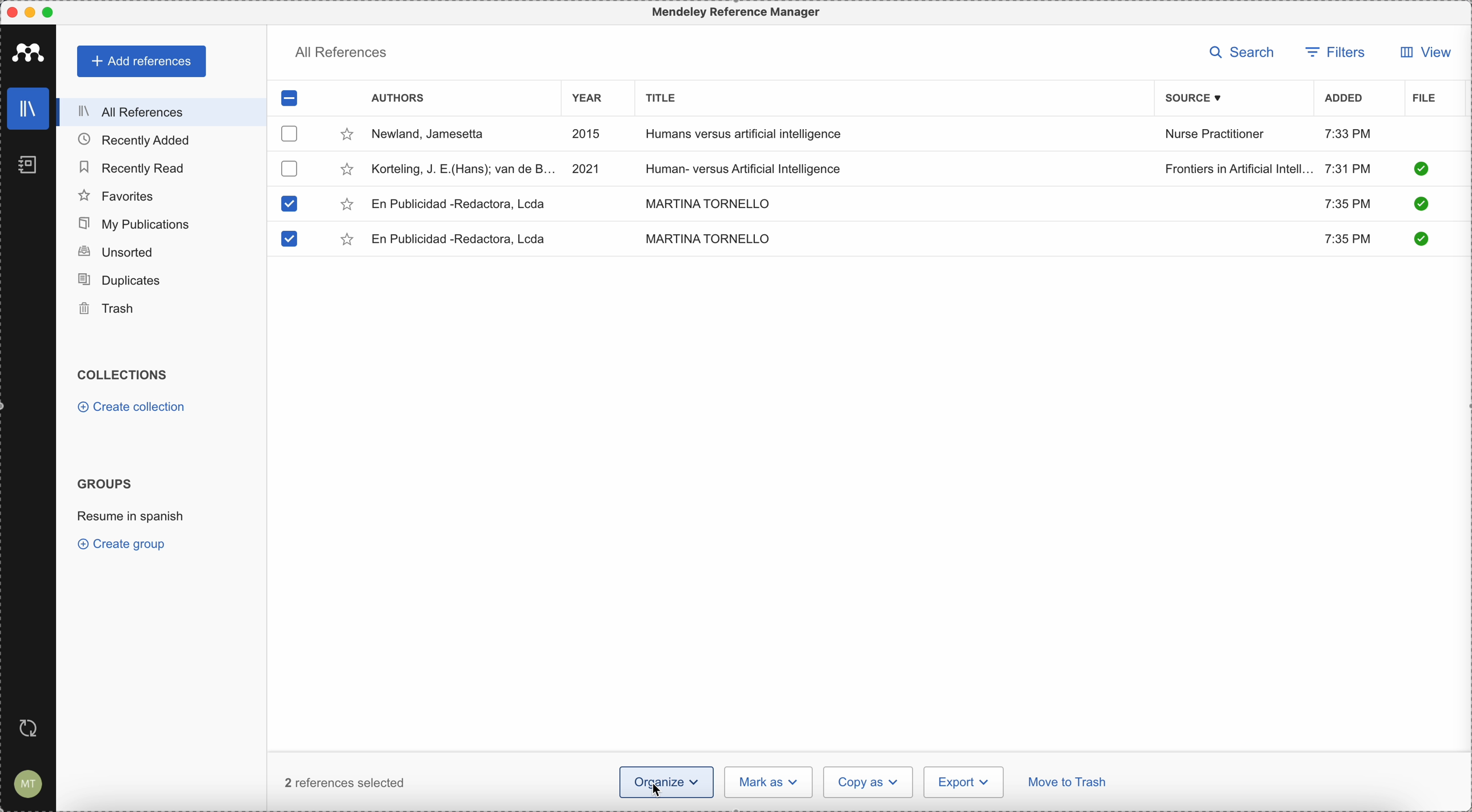 Image resolution: width=1472 pixels, height=812 pixels. What do you see at coordinates (1246, 53) in the screenshot?
I see `search` at bounding box center [1246, 53].